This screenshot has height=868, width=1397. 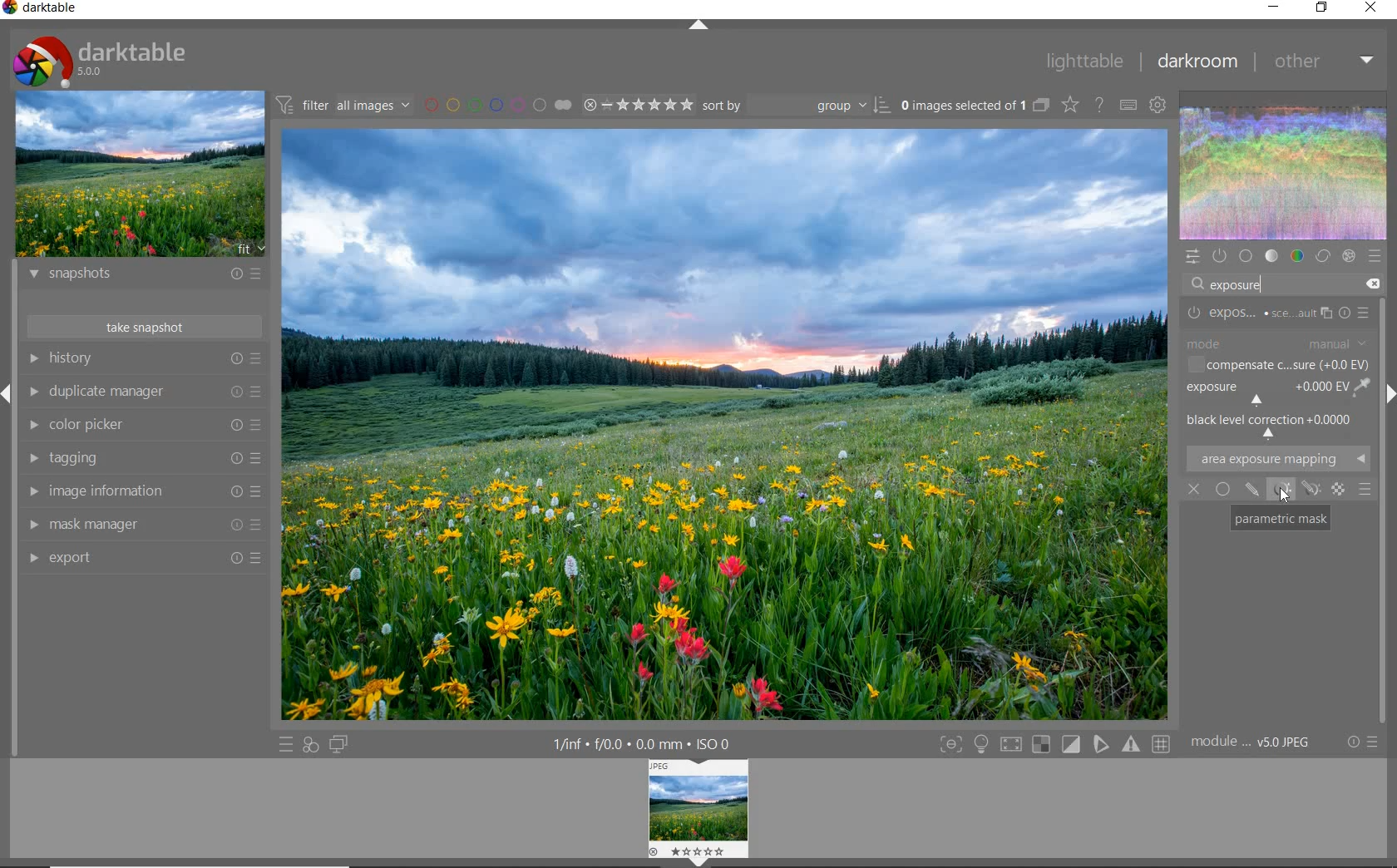 I want to click on BLENDING OPTIONS, so click(x=1365, y=491).